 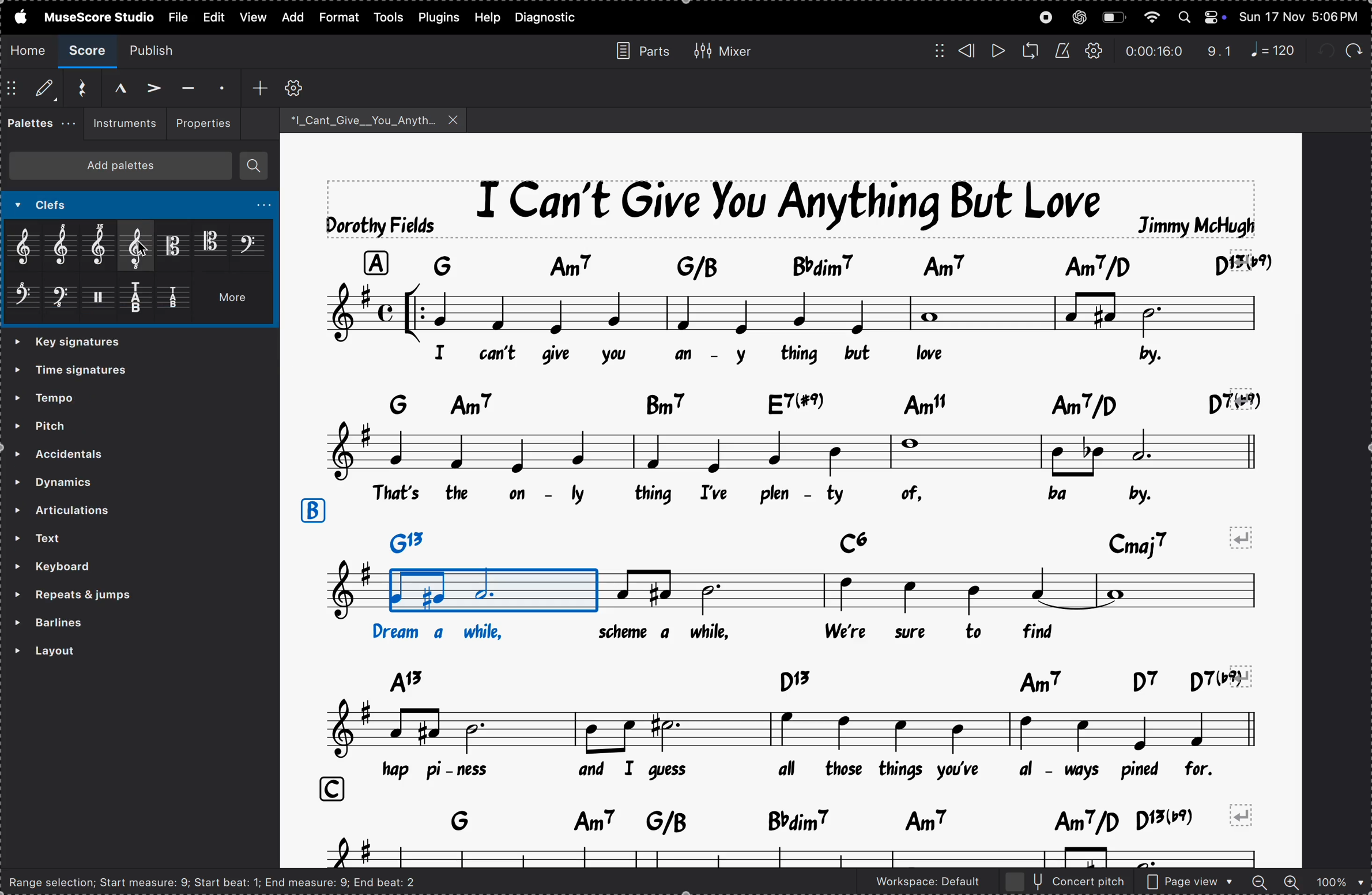 I want to click on daignostics, so click(x=550, y=18).